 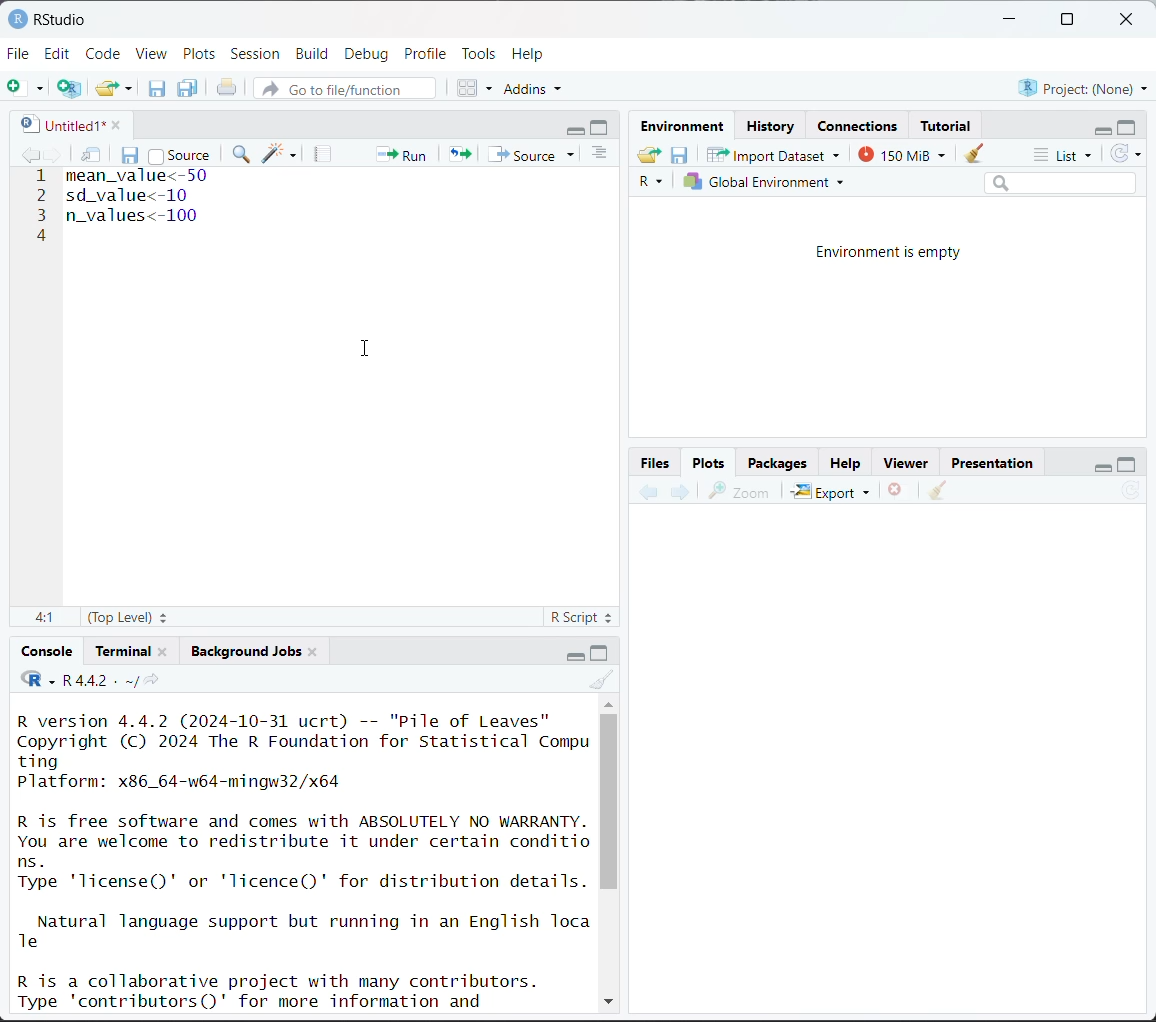 I want to click on untitled1, so click(x=58, y=124).